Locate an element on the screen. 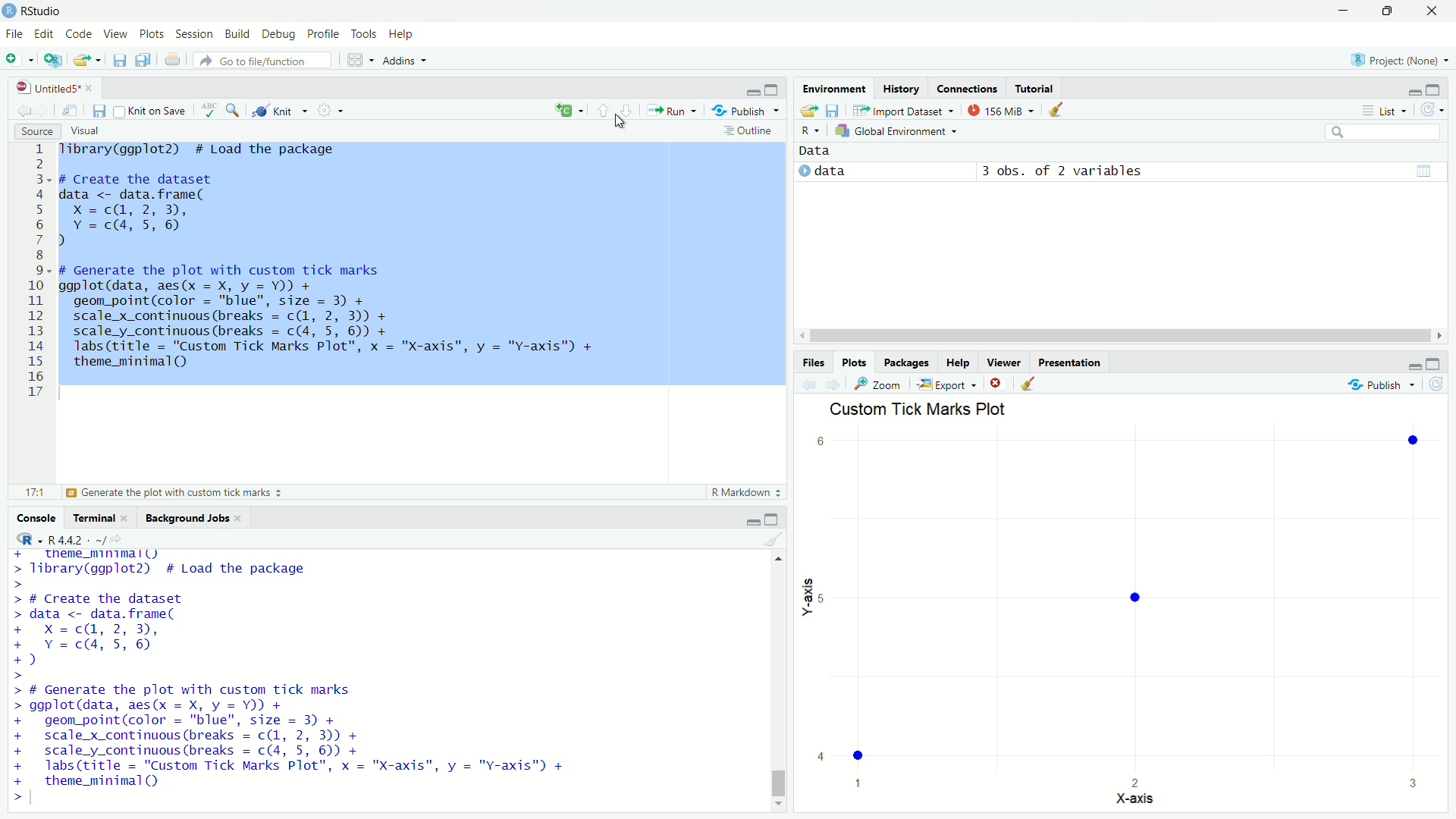 The height and width of the screenshot is (819, 1456). library to load the package is located at coordinates (217, 150).